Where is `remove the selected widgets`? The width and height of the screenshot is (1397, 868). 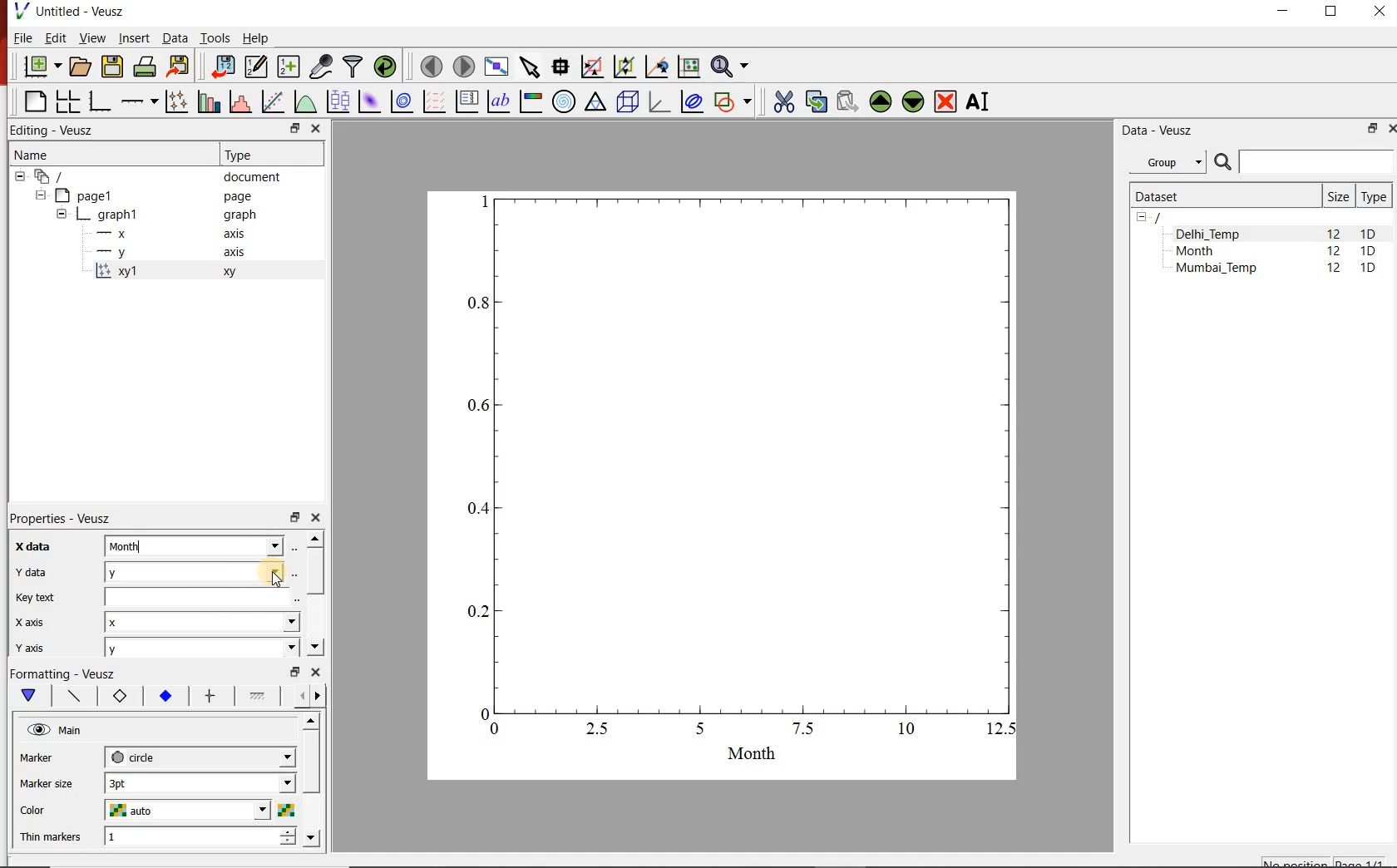
remove the selected widgets is located at coordinates (946, 101).